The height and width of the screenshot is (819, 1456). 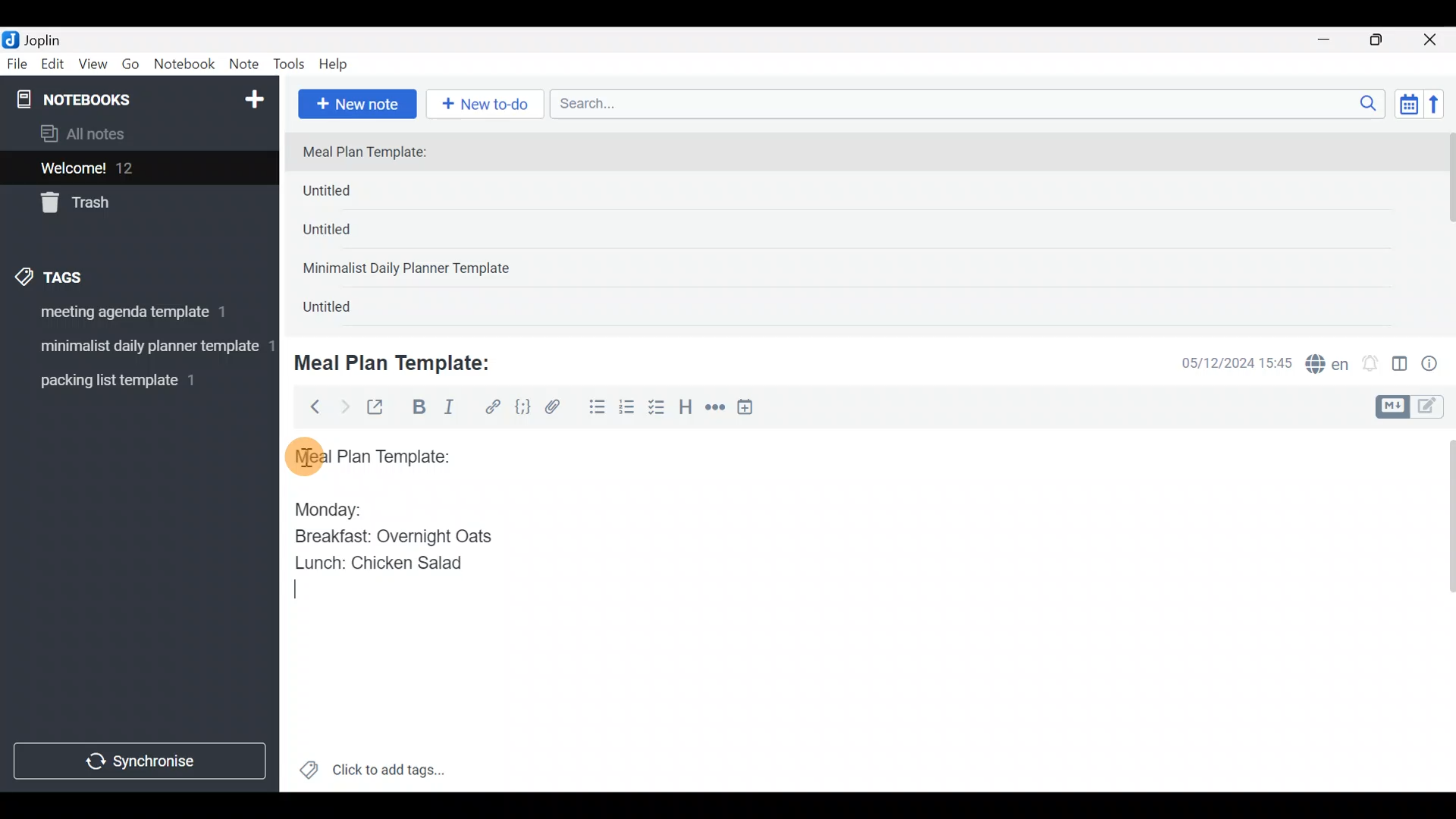 What do you see at coordinates (253, 96) in the screenshot?
I see `New` at bounding box center [253, 96].